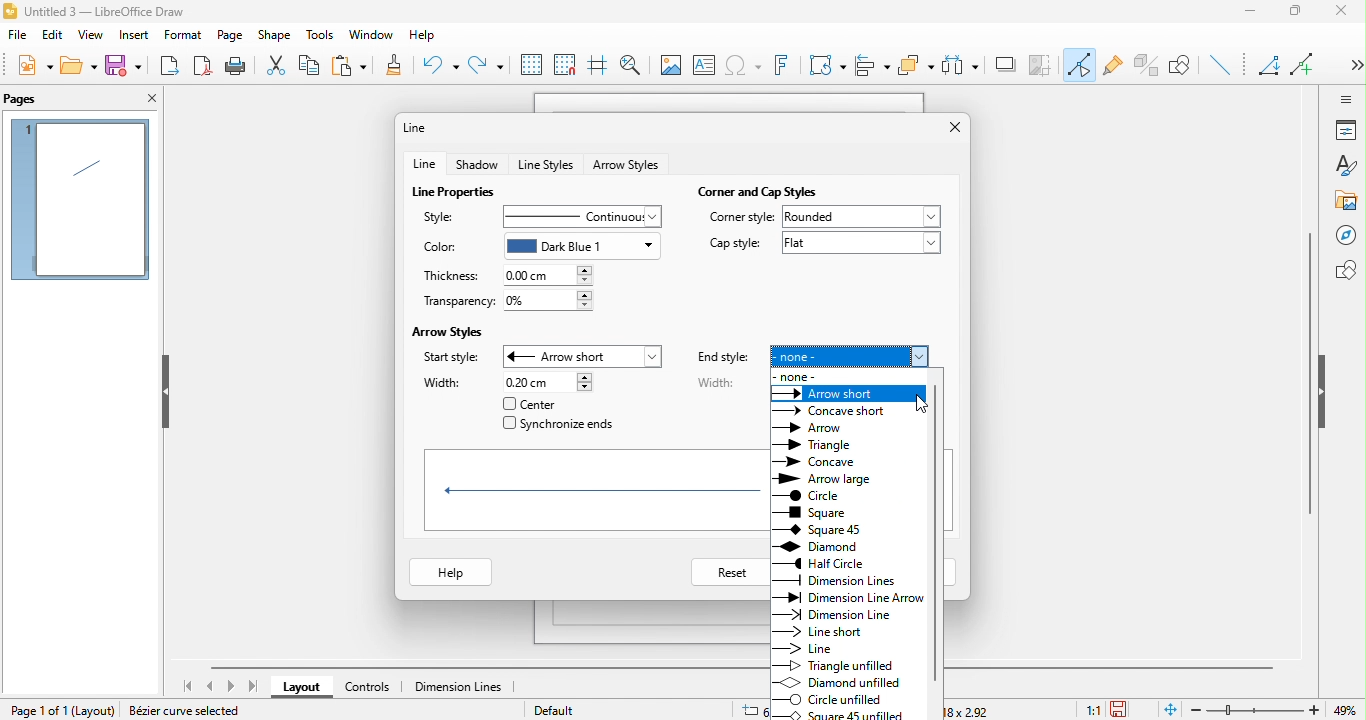 Image resolution: width=1366 pixels, height=720 pixels. Describe the element at coordinates (203, 67) in the screenshot. I see `export directly as pdf` at that location.